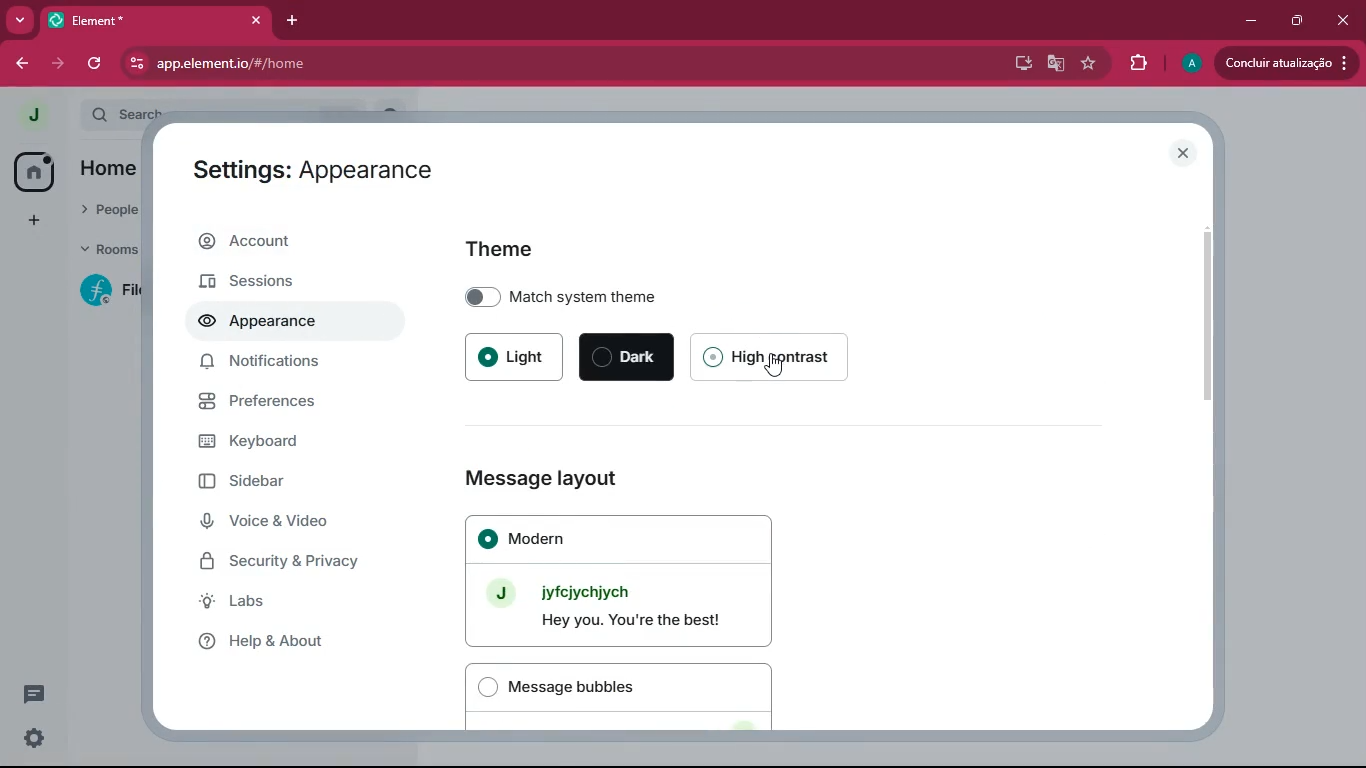 The height and width of the screenshot is (768, 1366). Describe the element at coordinates (1135, 64) in the screenshot. I see `extensions` at that location.